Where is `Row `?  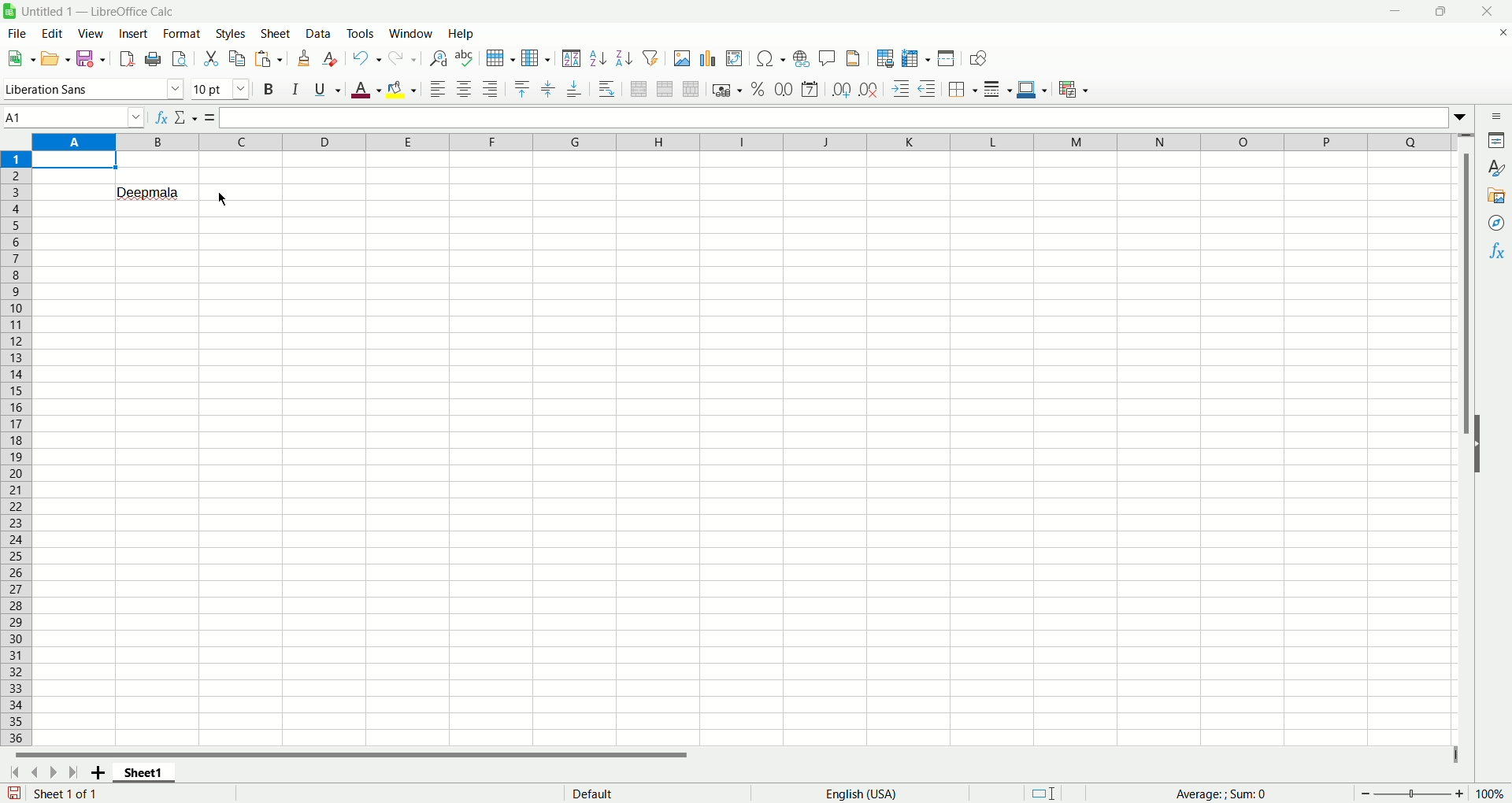
Row  is located at coordinates (19, 447).